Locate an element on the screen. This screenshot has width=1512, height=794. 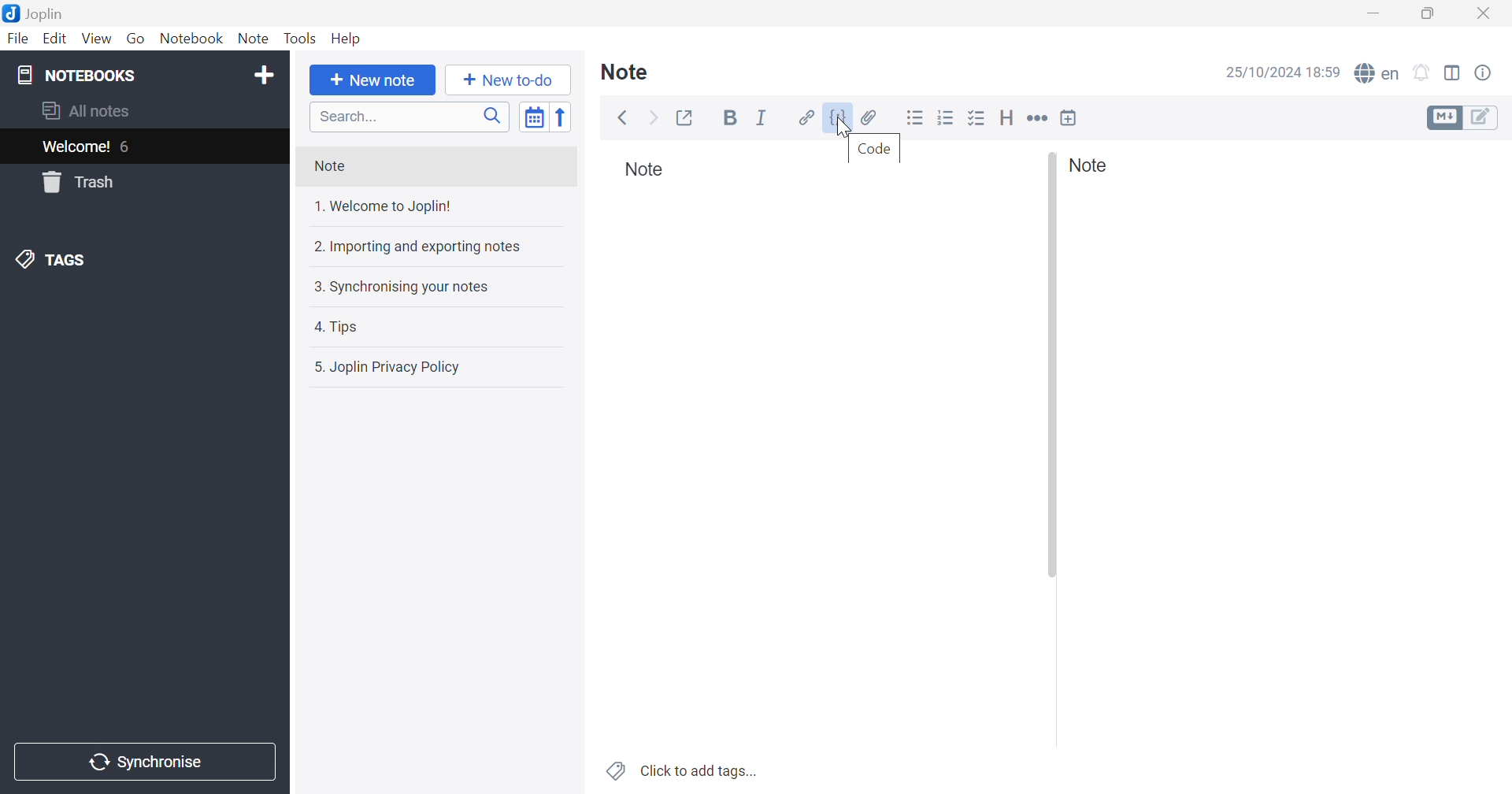
Insert time is located at coordinates (1069, 120).